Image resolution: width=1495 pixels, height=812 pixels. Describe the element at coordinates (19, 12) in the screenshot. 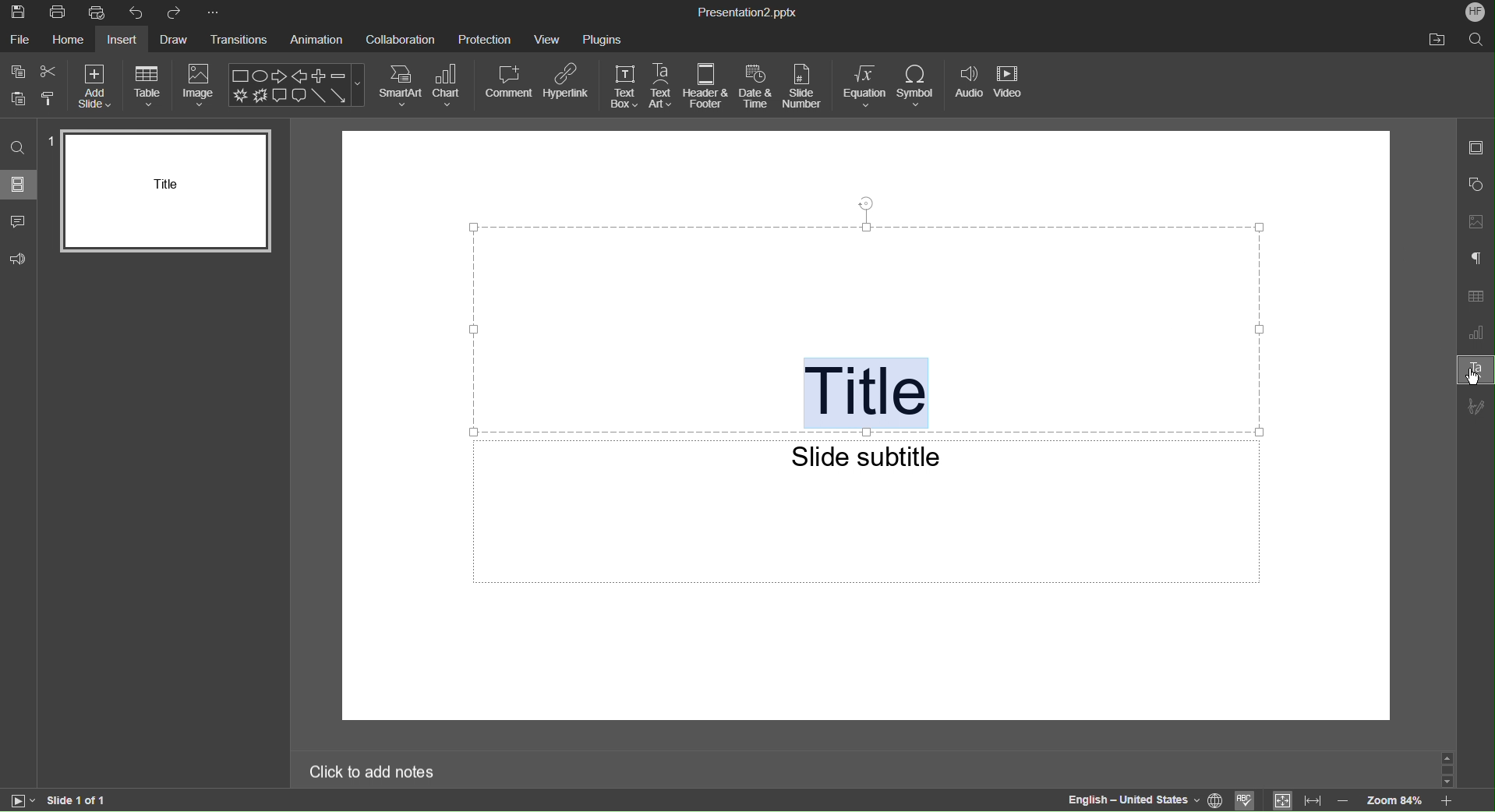

I see `Save` at that location.